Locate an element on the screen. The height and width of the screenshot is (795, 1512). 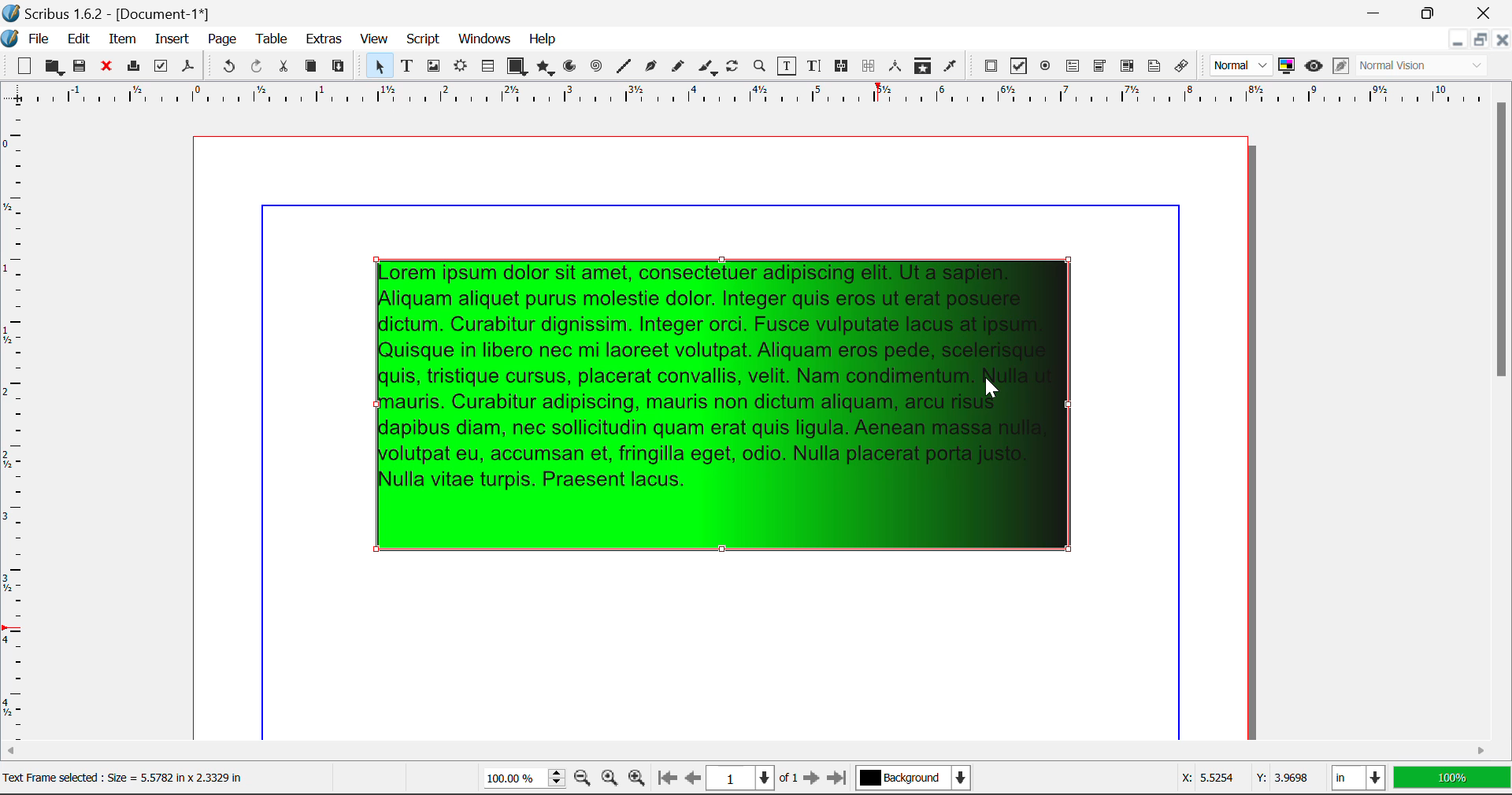
Close is located at coordinates (1501, 39).